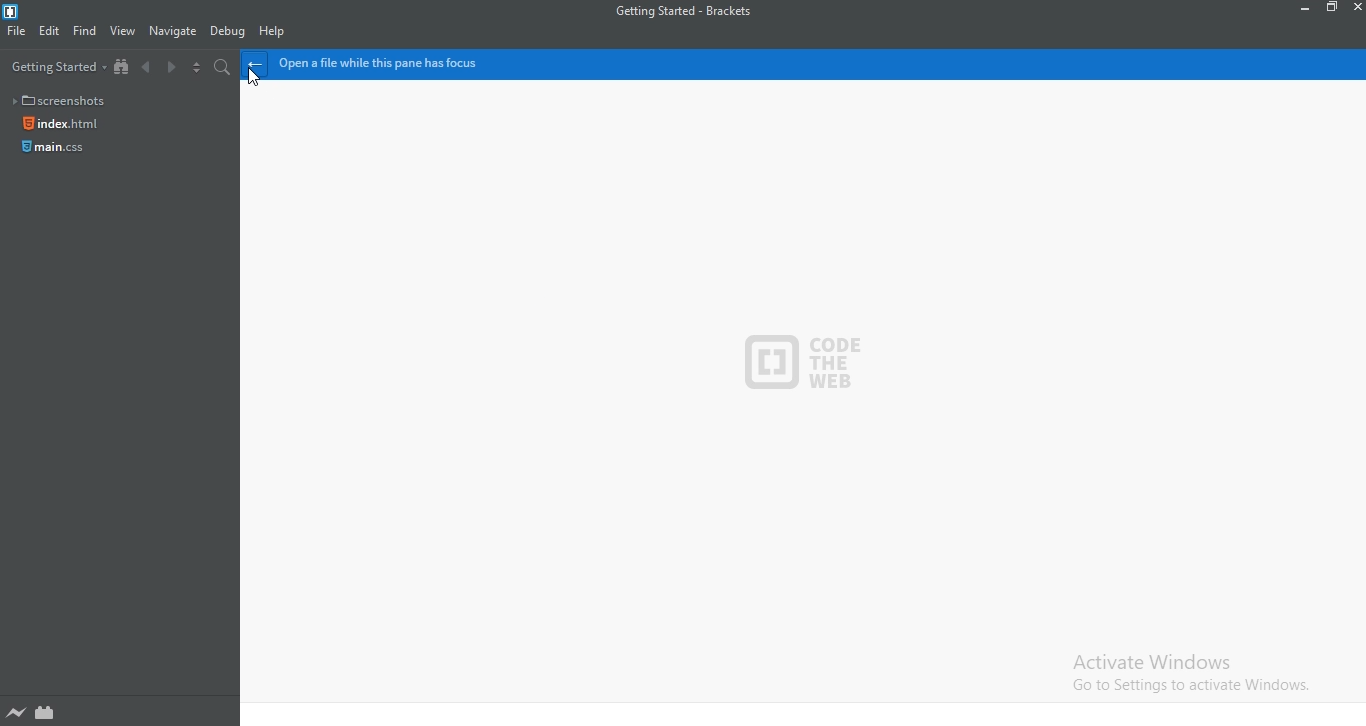 The height and width of the screenshot is (726, 1366). What do you see at coordinates (1332, 8) in the screenshot?
I see `Restore` at bounding box center [1332, 8].